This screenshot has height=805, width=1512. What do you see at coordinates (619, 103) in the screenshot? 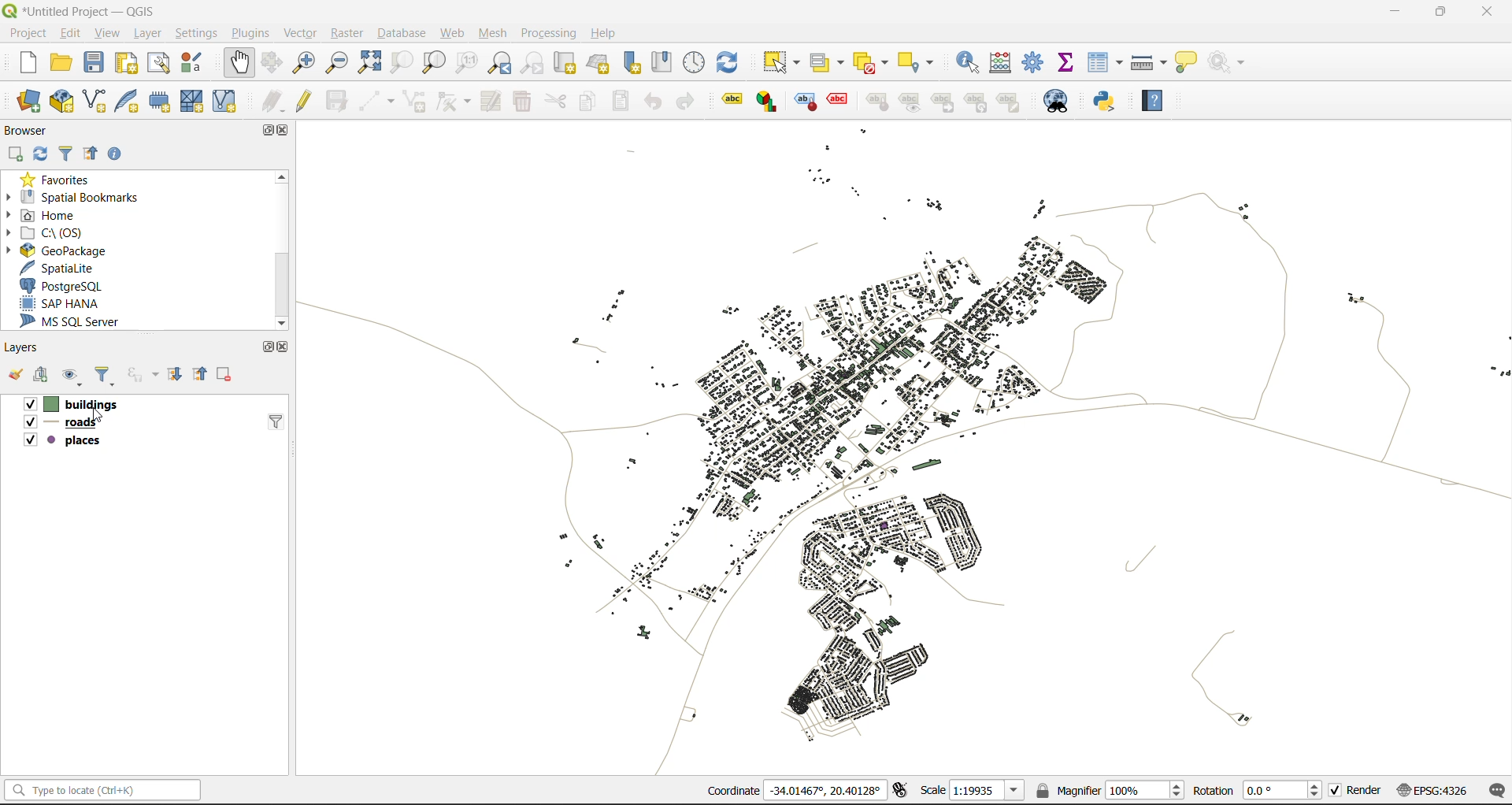
I see `paste` at bounding box center [619, 103].